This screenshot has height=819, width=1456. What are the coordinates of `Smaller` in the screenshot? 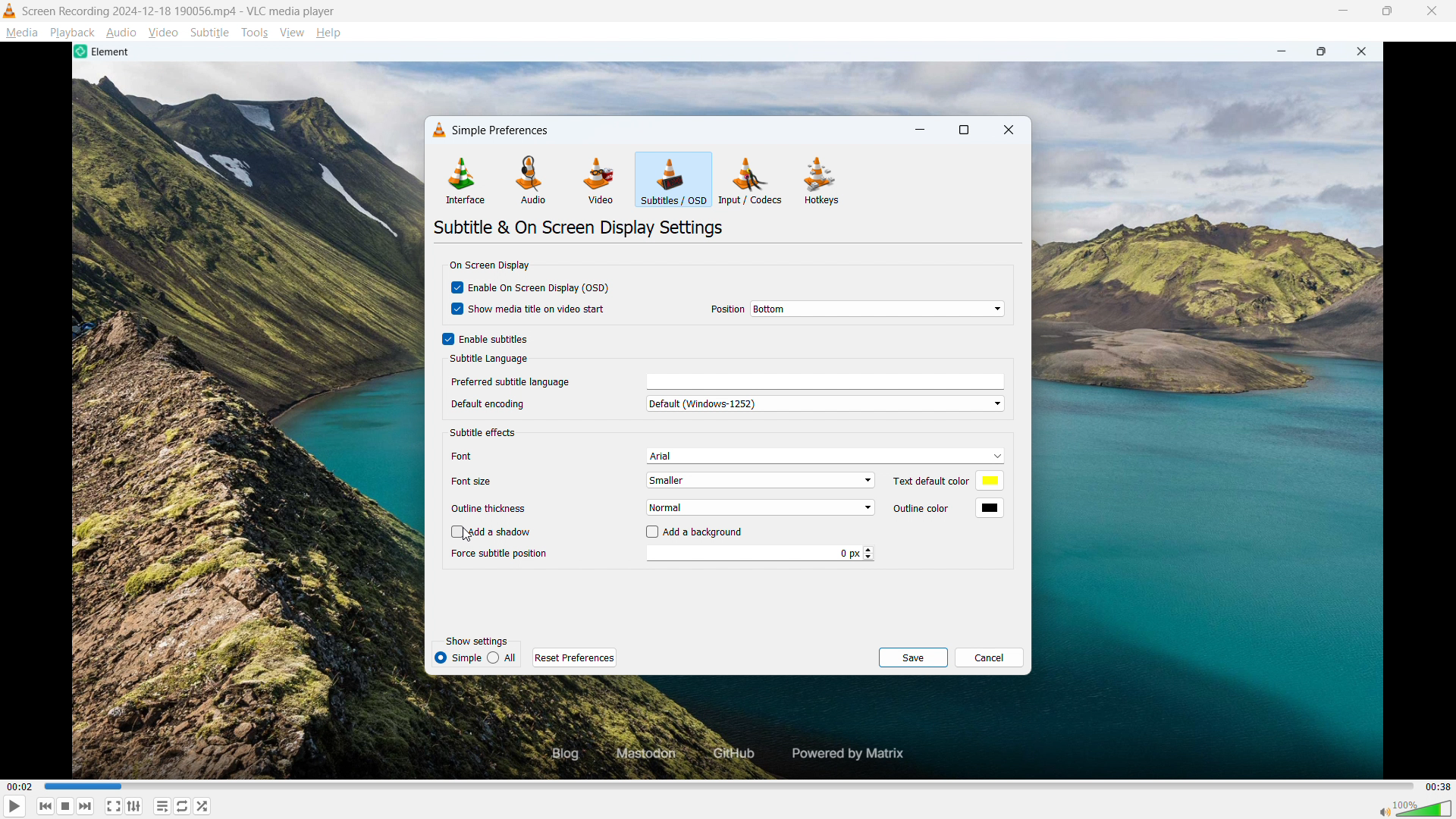 It's located at (762, 480).